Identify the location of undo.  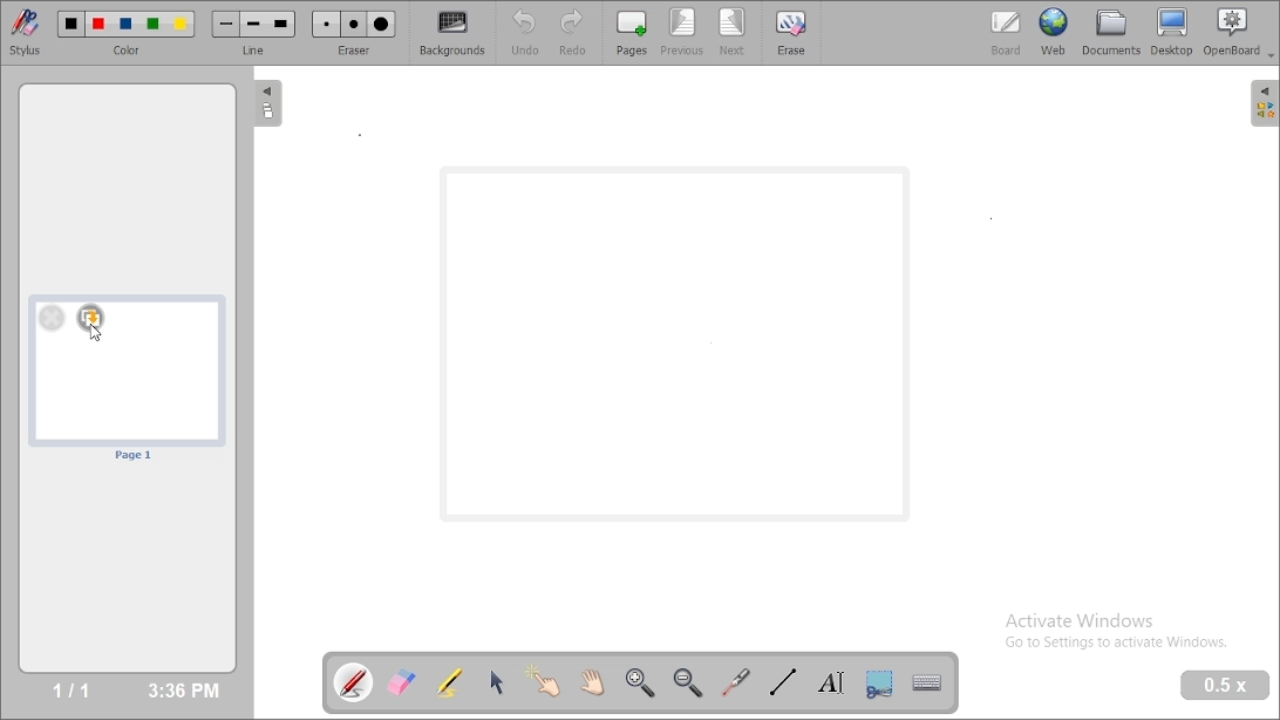
(524, 32).